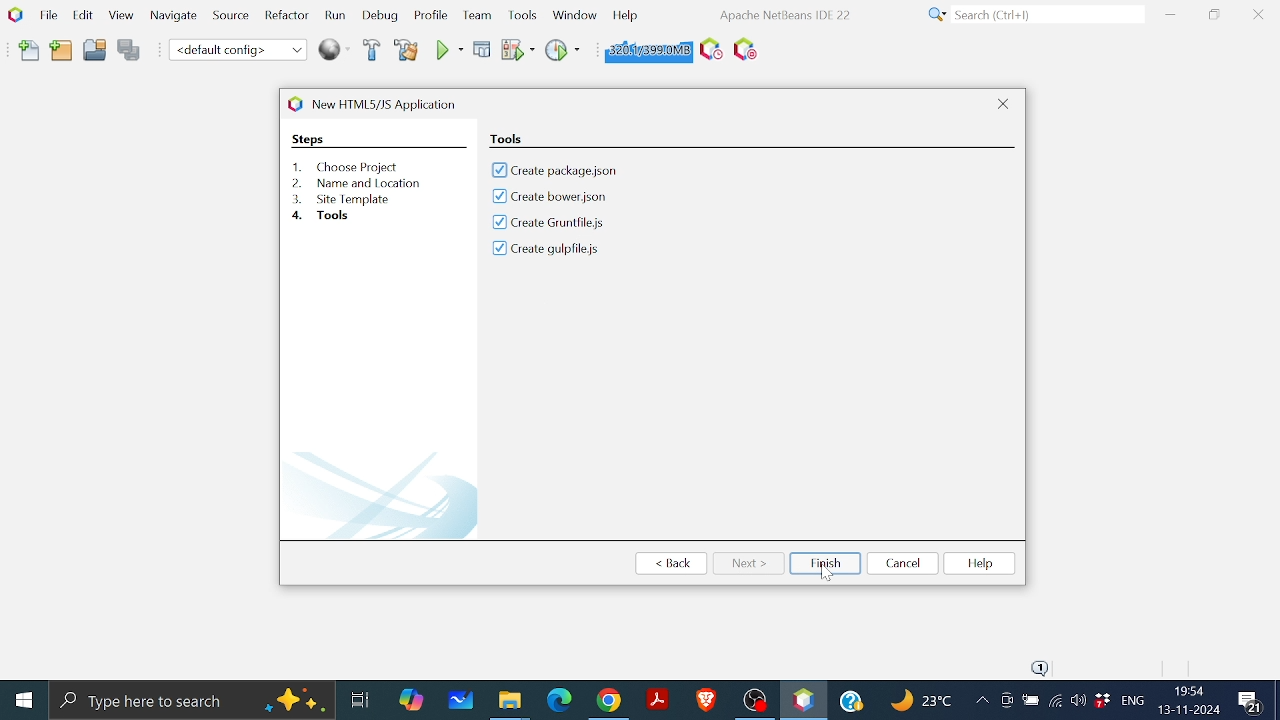 Image resolution: width=1280 pixels, height=720 pixels. Describe the element at coordinates (359, 183) in the screenshot. I see `2. Name and location` at that location.